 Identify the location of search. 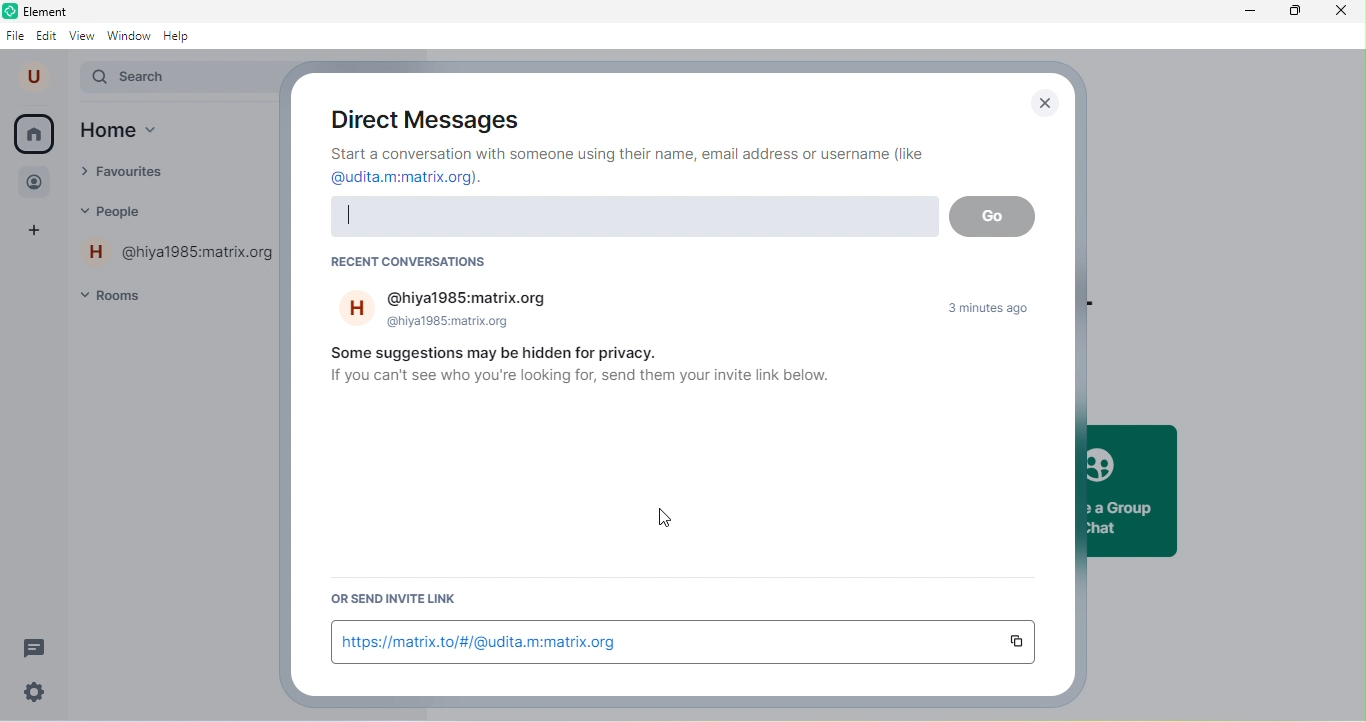
(180, 79).